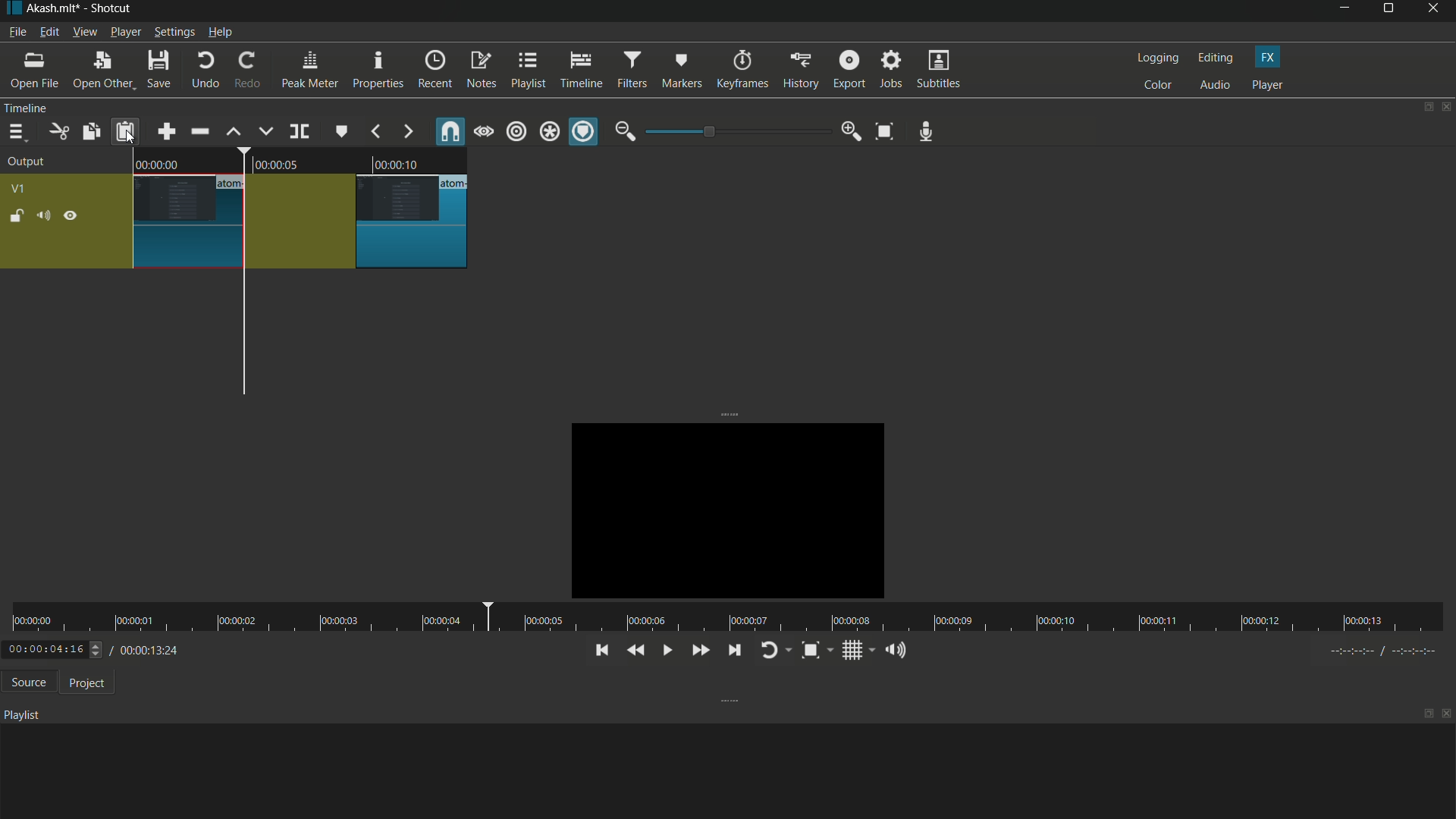 The image size is (1456, 819). What do you see at coordinates (408, 163) in the screenshot?
I see `|00:00:10` at bounding box center [408, 163].